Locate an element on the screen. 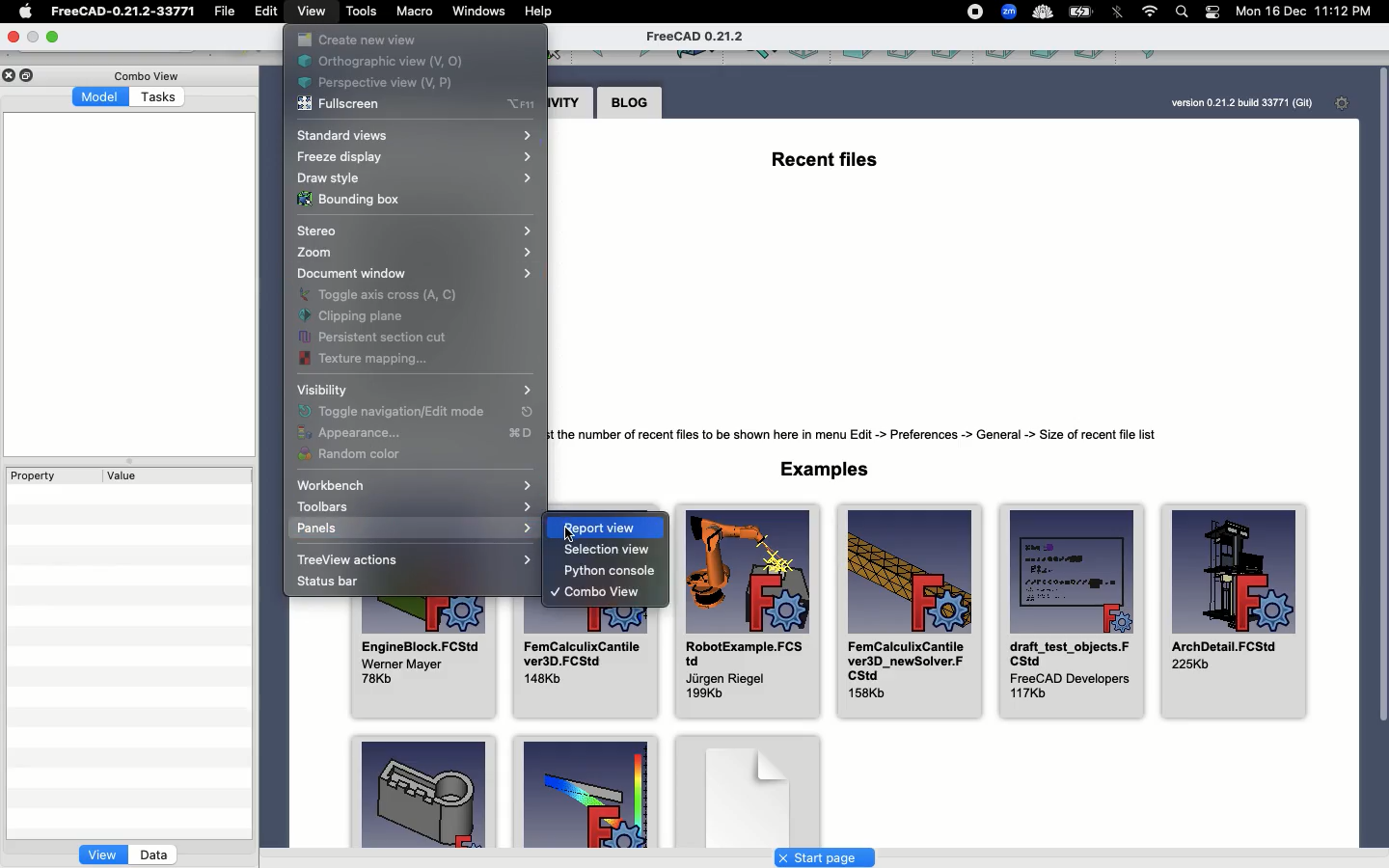  Selection view is located at coordinates (612, 552).